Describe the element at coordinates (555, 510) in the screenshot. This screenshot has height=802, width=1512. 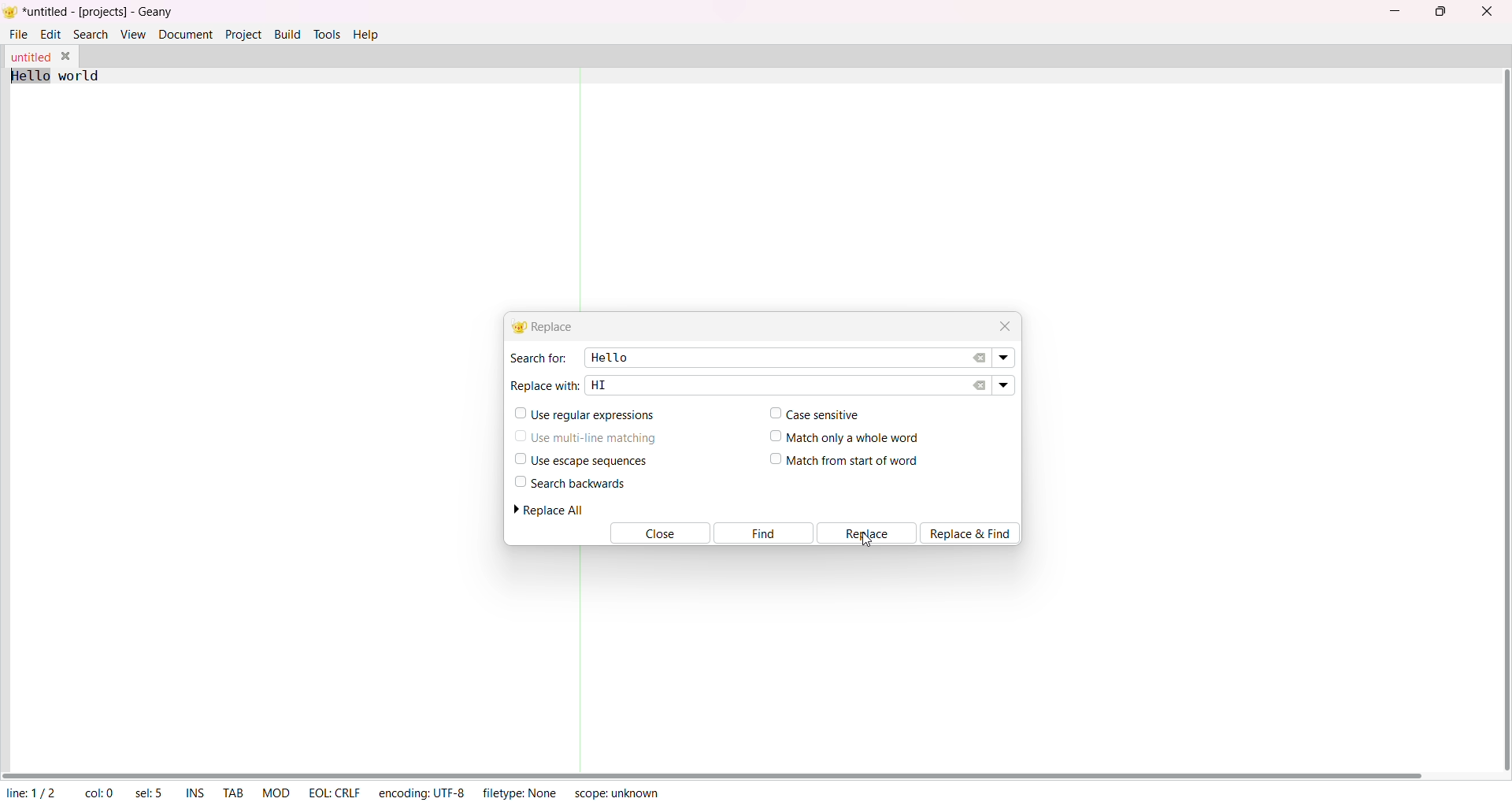
I see `replace all` at that location.